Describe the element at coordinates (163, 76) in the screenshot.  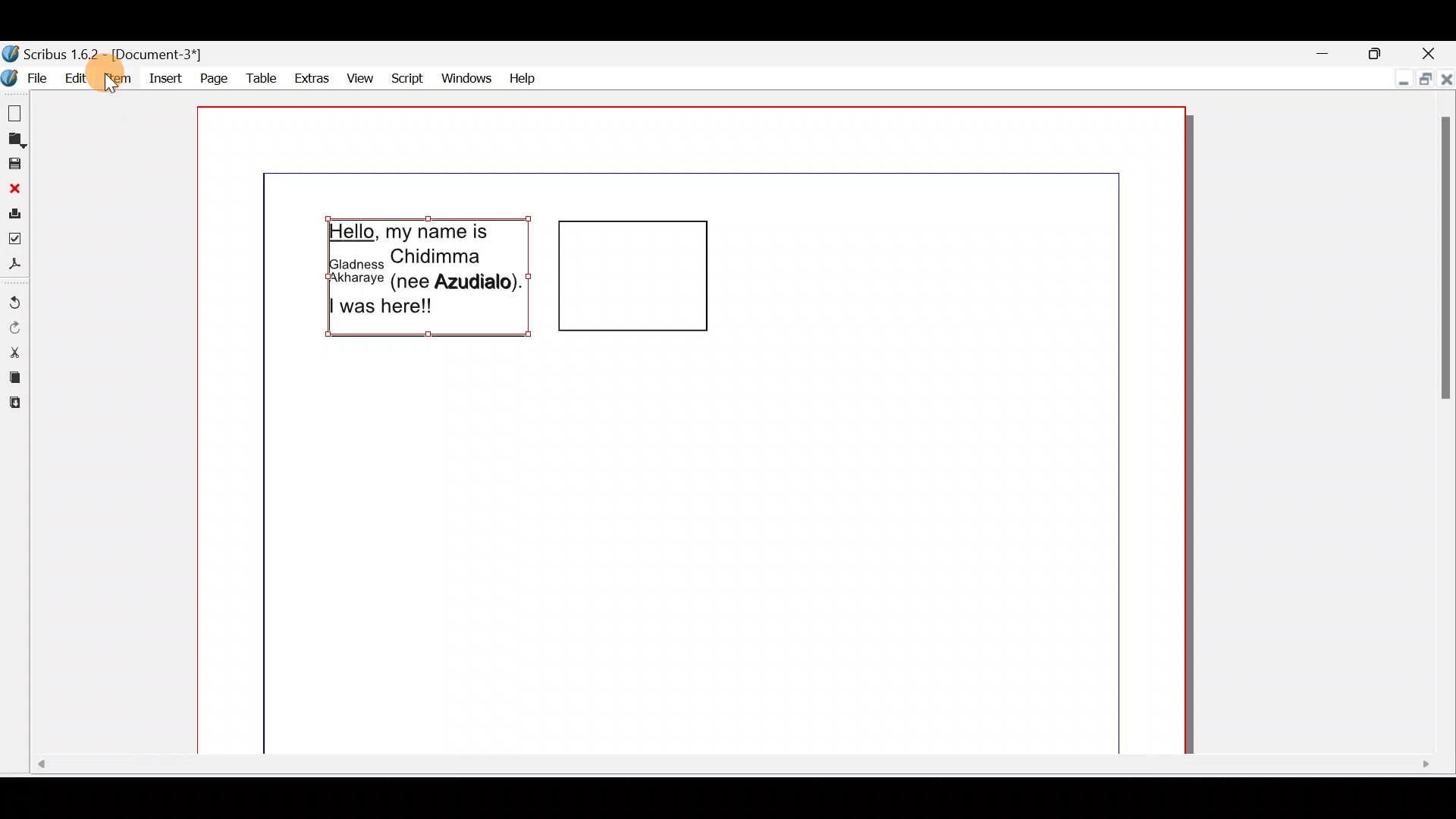
I see `Insert` at that location.